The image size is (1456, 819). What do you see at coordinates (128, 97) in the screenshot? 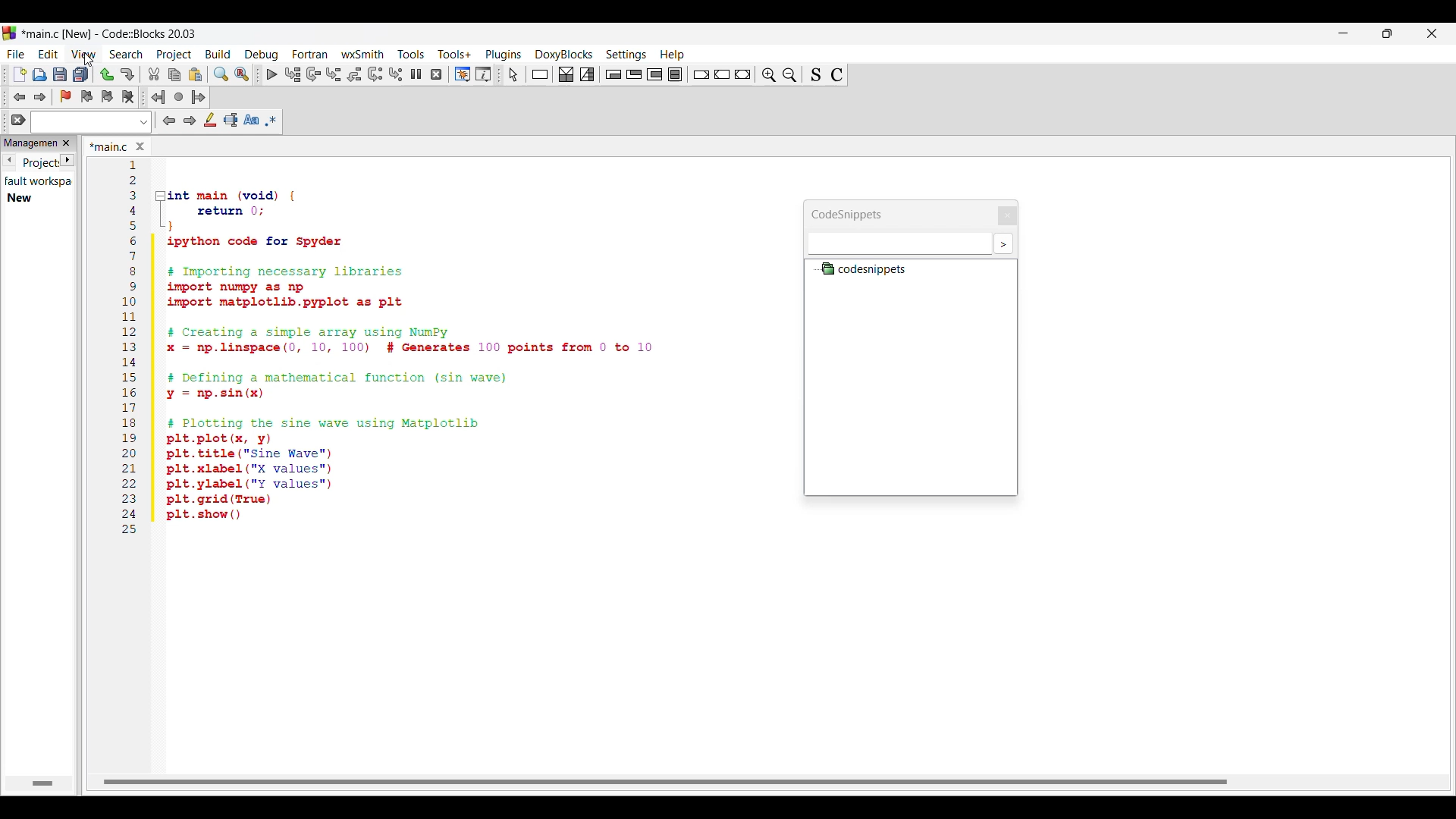
I see `Clear bookmarks` at bounding box center [128, 97].